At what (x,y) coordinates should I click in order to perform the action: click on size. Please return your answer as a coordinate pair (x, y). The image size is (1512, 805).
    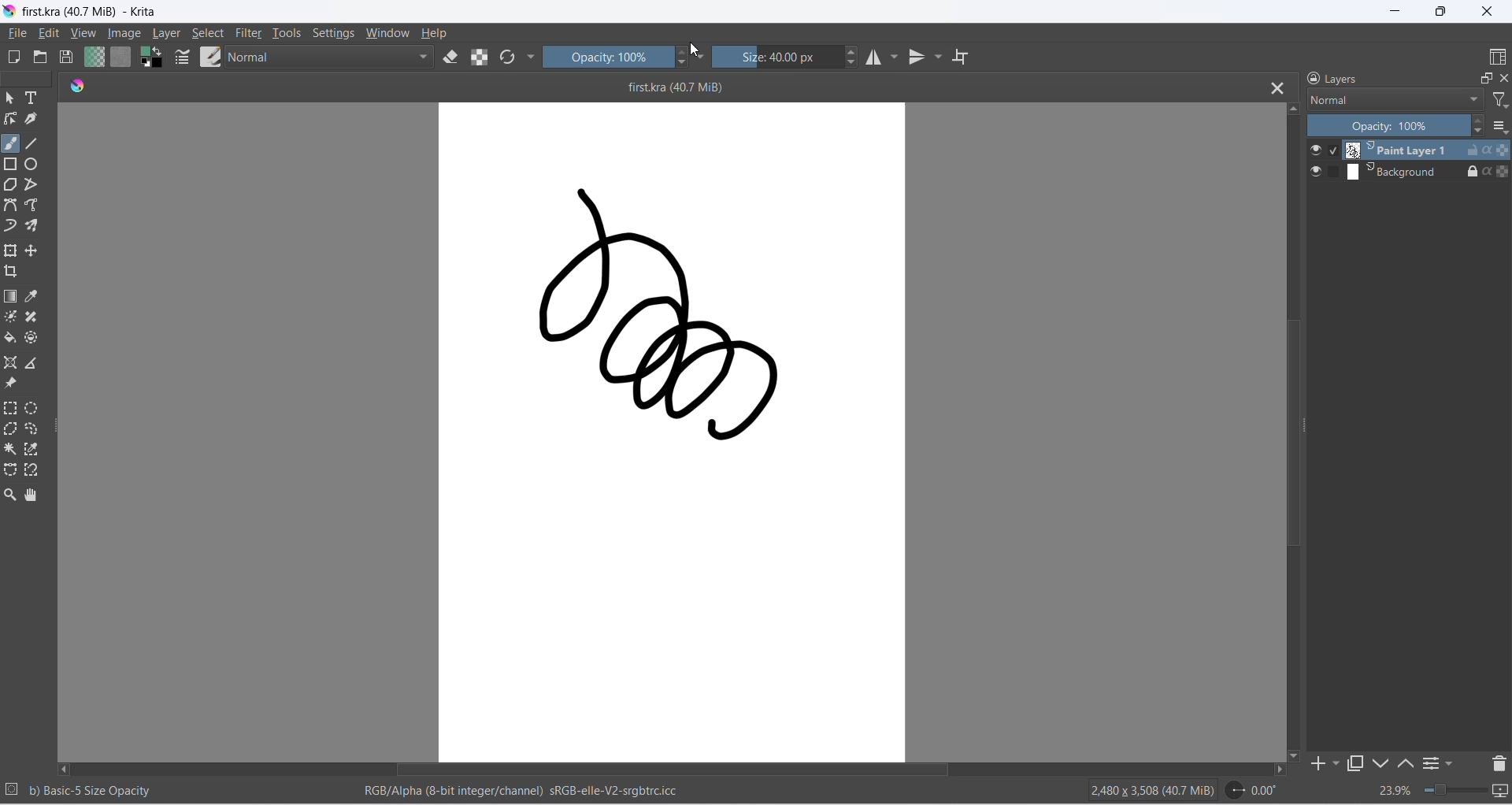
    Looking at the image, I should click on (776, 57).